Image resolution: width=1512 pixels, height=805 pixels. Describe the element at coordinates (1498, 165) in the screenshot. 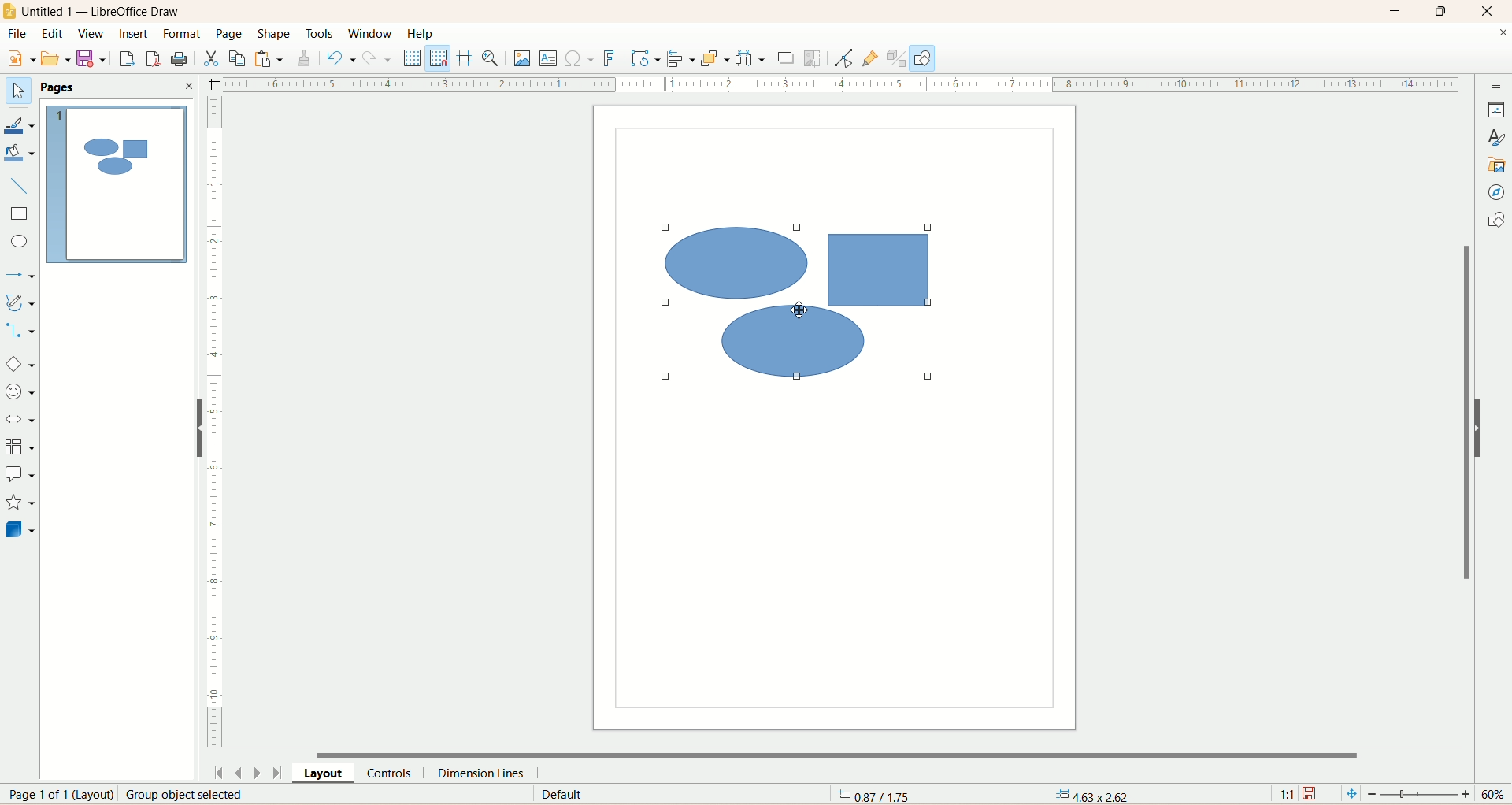

I see `gallery` at that location.